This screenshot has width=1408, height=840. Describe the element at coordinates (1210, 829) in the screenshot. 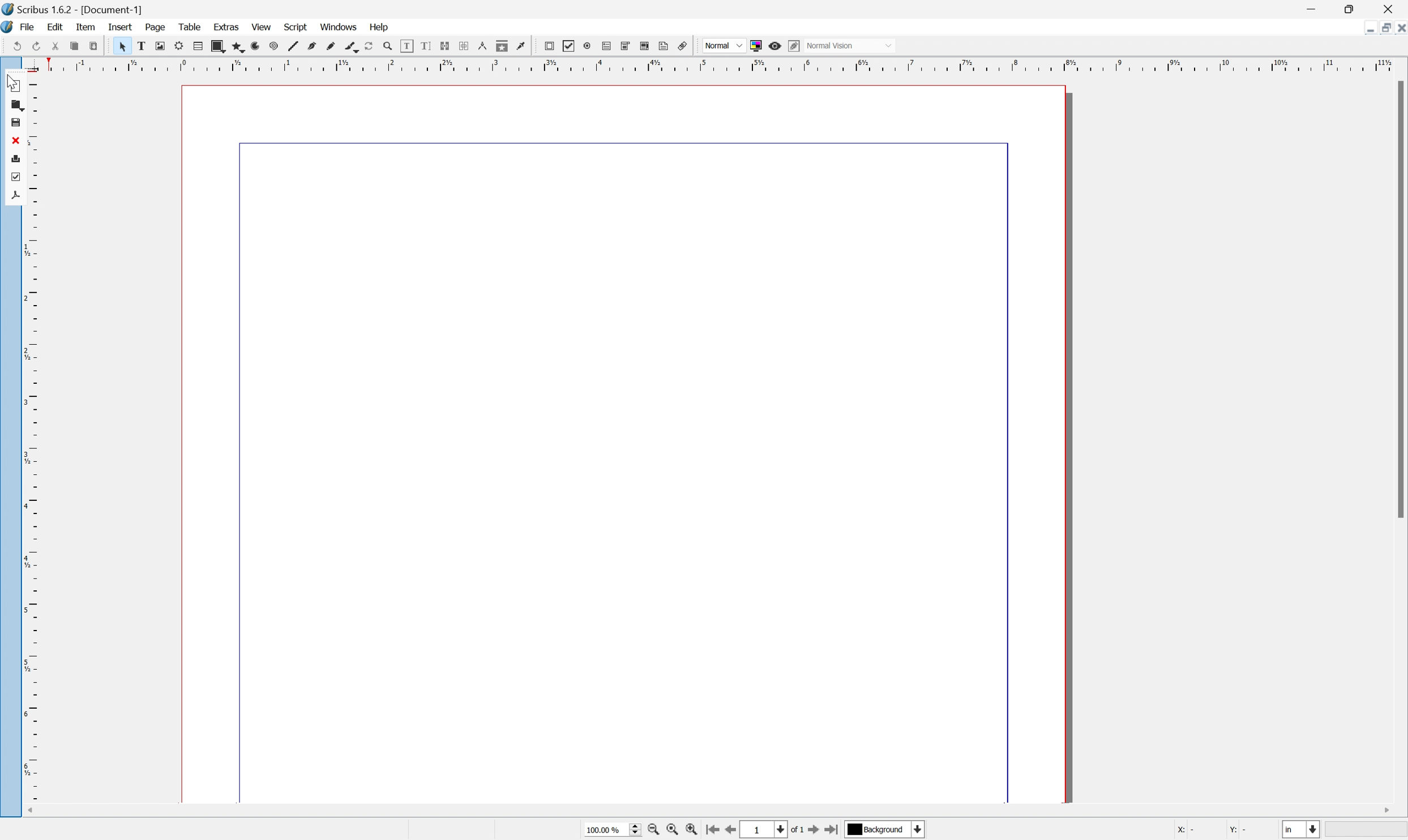

I see `X:  Y:` at that location.